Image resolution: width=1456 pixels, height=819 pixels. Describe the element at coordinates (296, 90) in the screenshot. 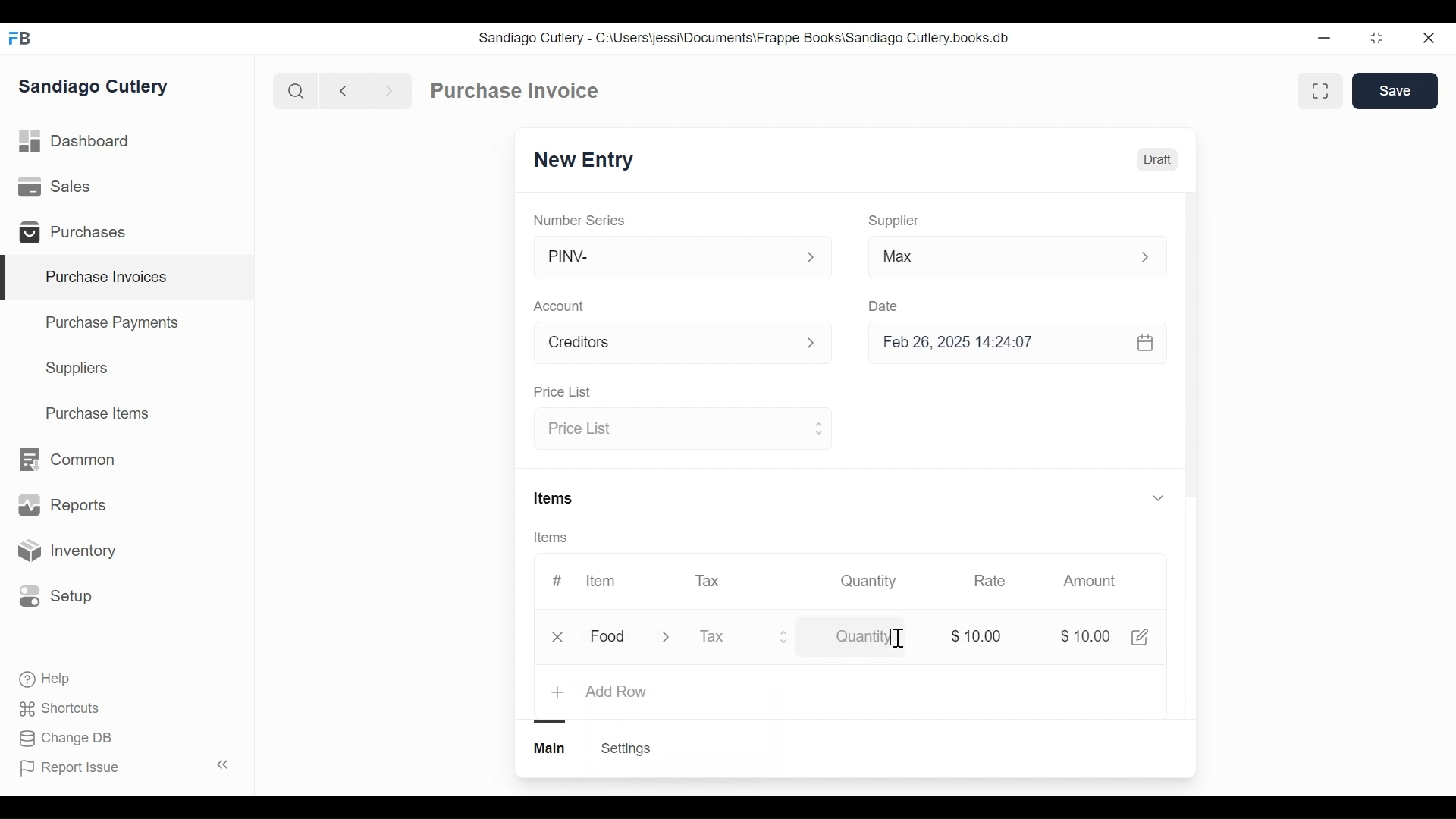

I see `Search` at that location.